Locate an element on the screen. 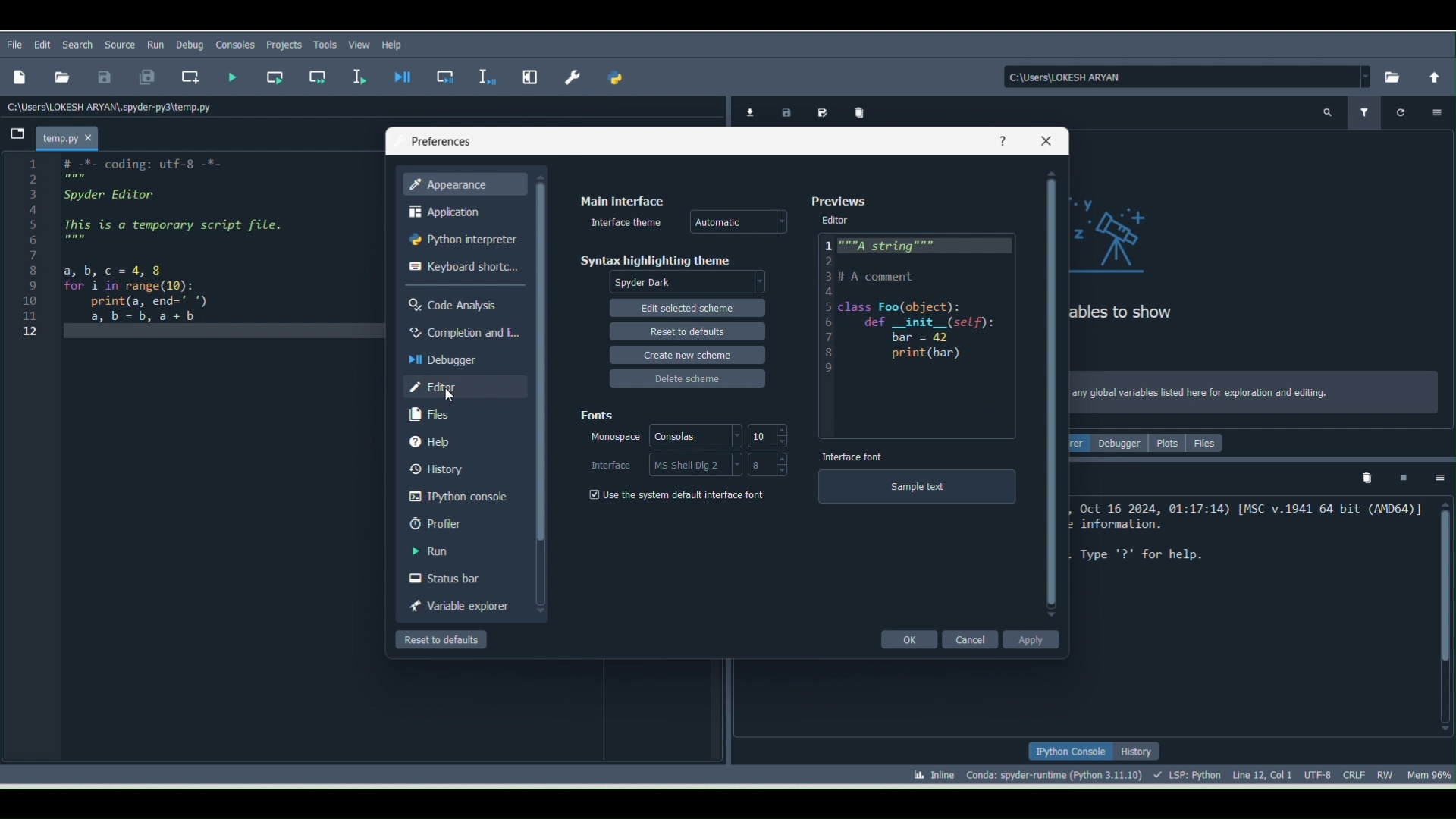  Size is located at coordinates (769, 464).